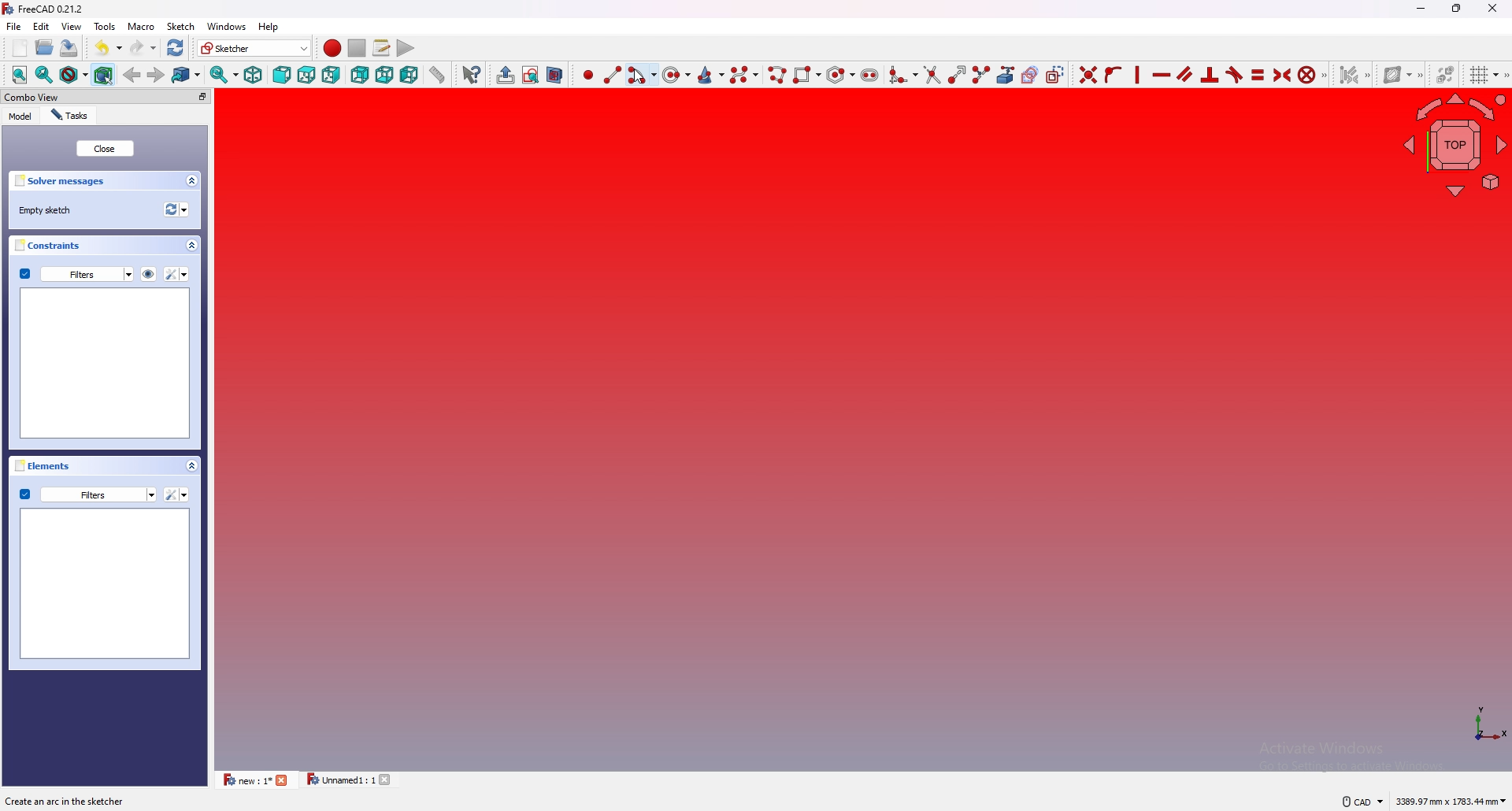 This screenshot has width=1512, height=811. What do you see at coordinates (176, 48) in the screenshot?
I see `refresh` at bounding box center [176, 48].